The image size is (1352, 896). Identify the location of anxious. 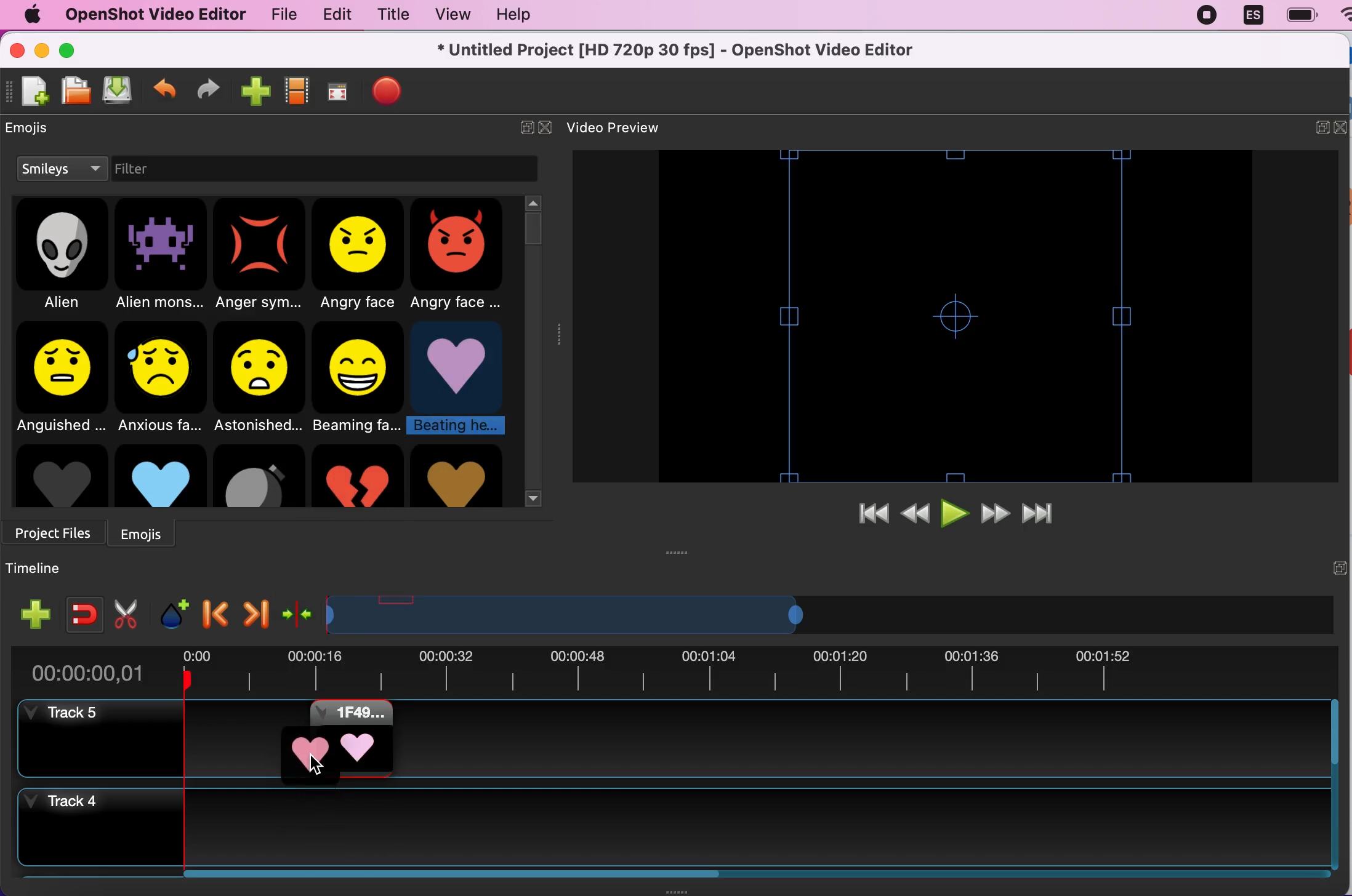
(164, 375).